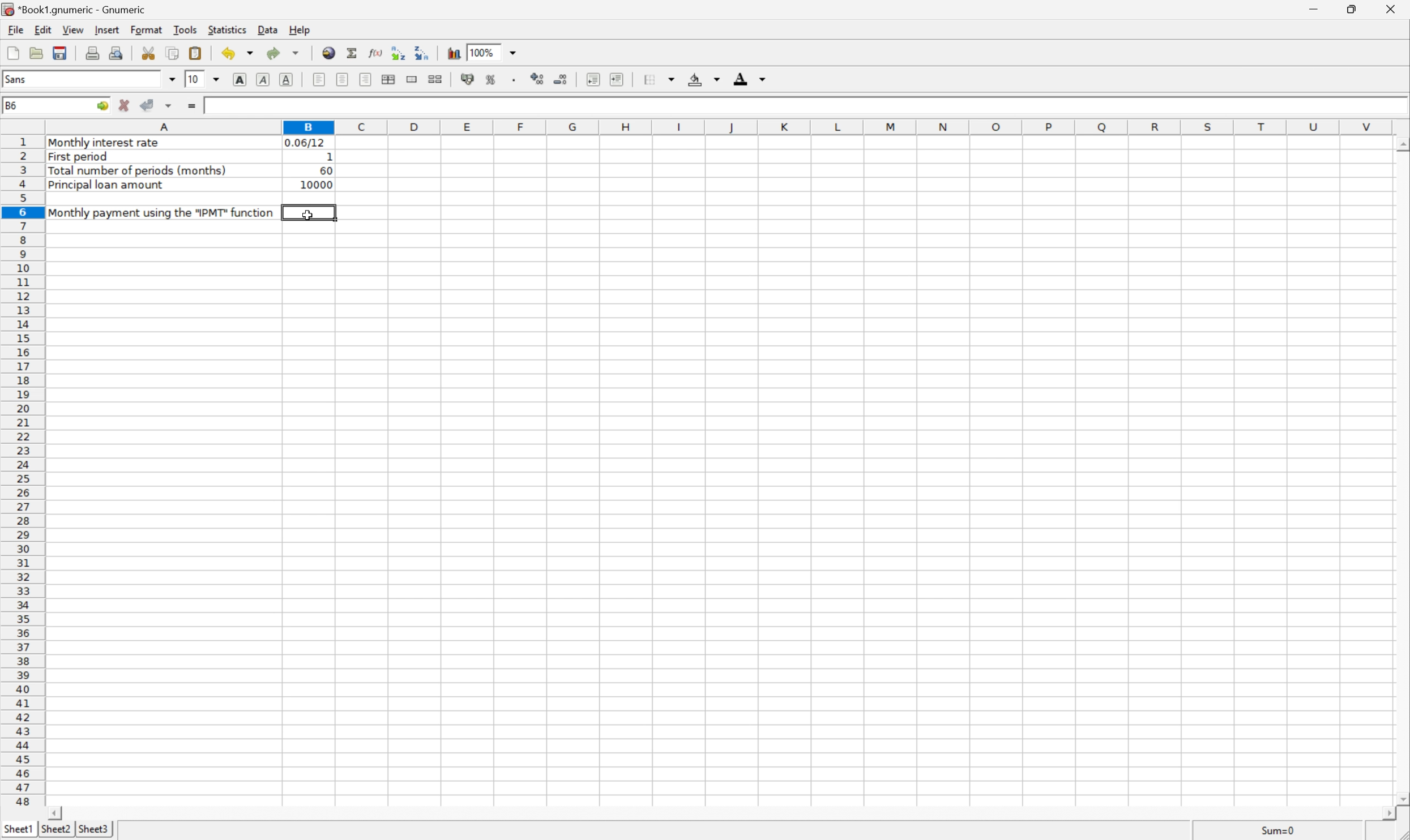 The image size is (1410, 840). What do you see at coordinates (82, 156) in the screenshot?
I see `First period` at bounding box center [82, 156].